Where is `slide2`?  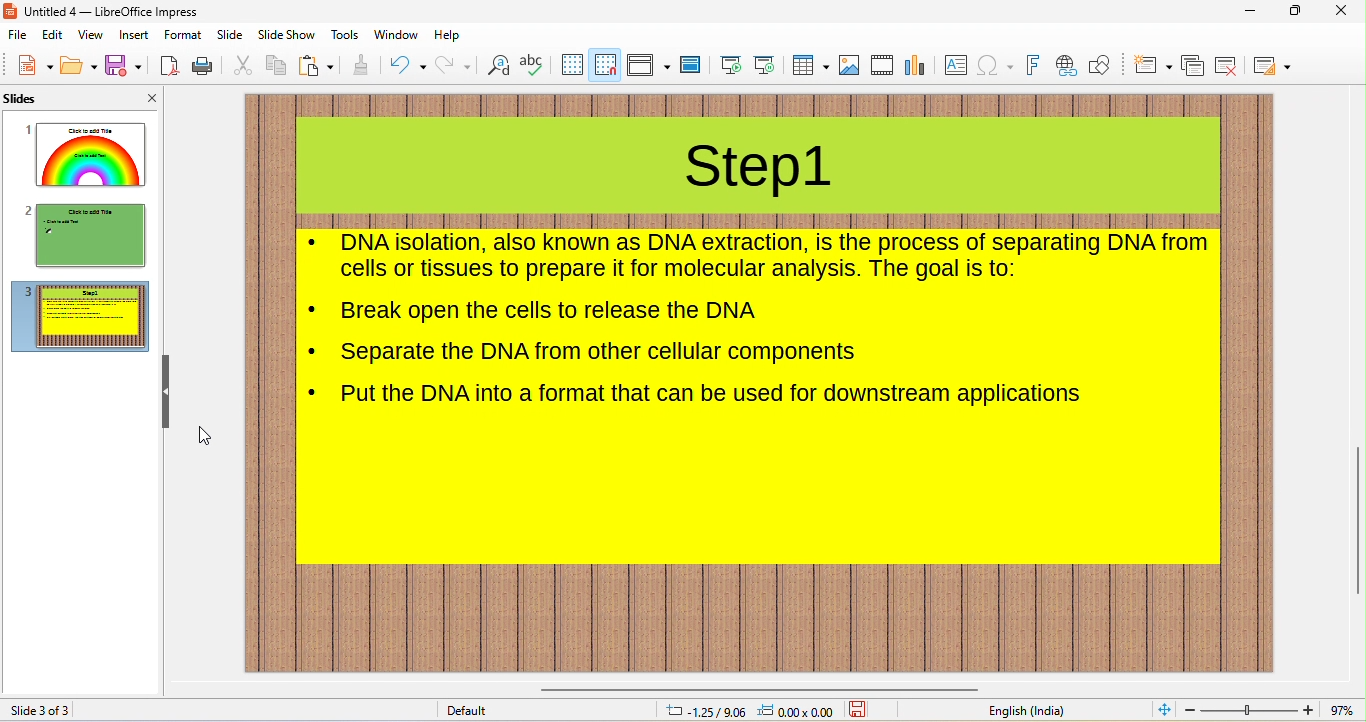 slide2 is located at coordinates (86, 236).